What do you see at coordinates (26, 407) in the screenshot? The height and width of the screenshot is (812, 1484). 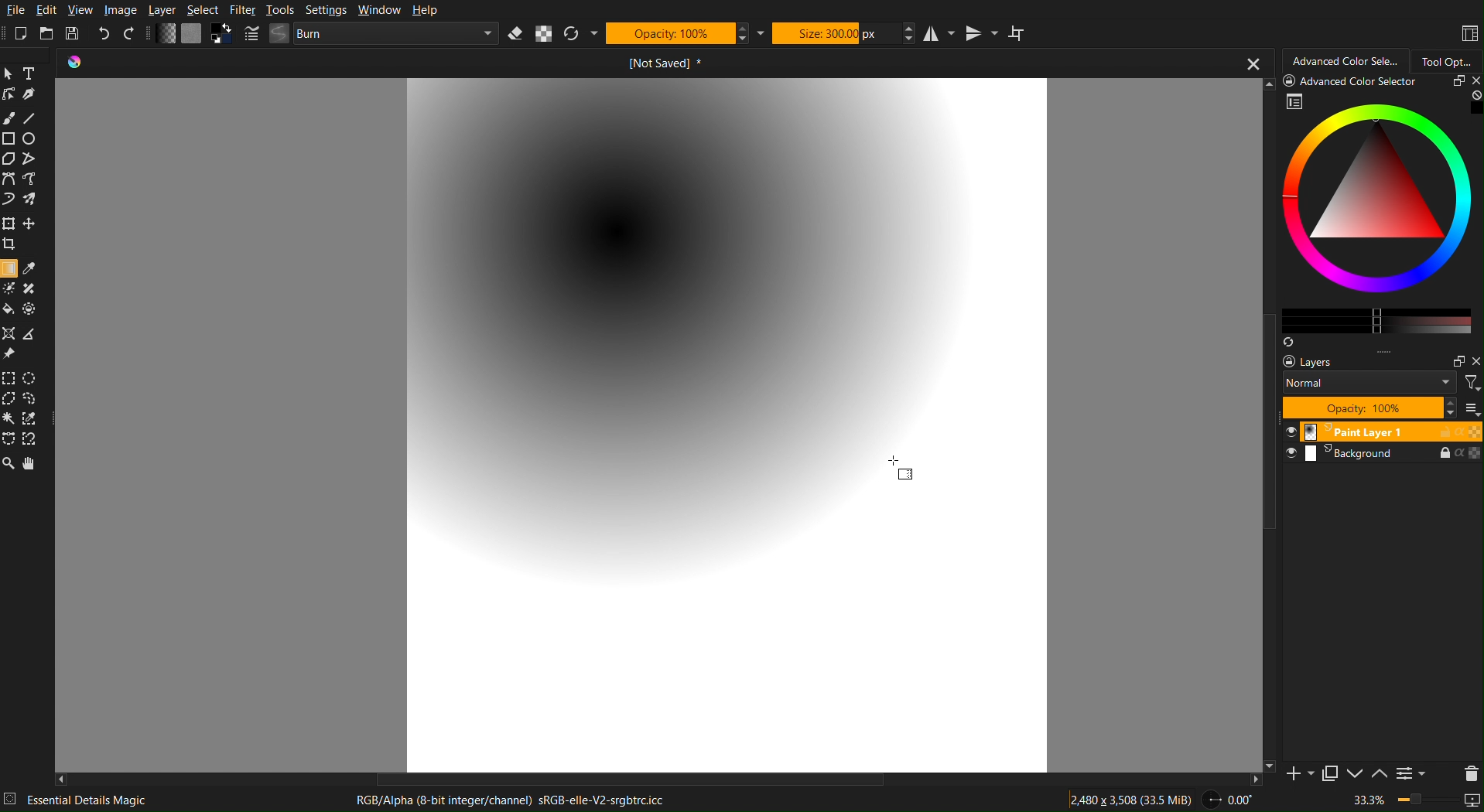 I see `Selection Tools` at bounding box center [26, 407].